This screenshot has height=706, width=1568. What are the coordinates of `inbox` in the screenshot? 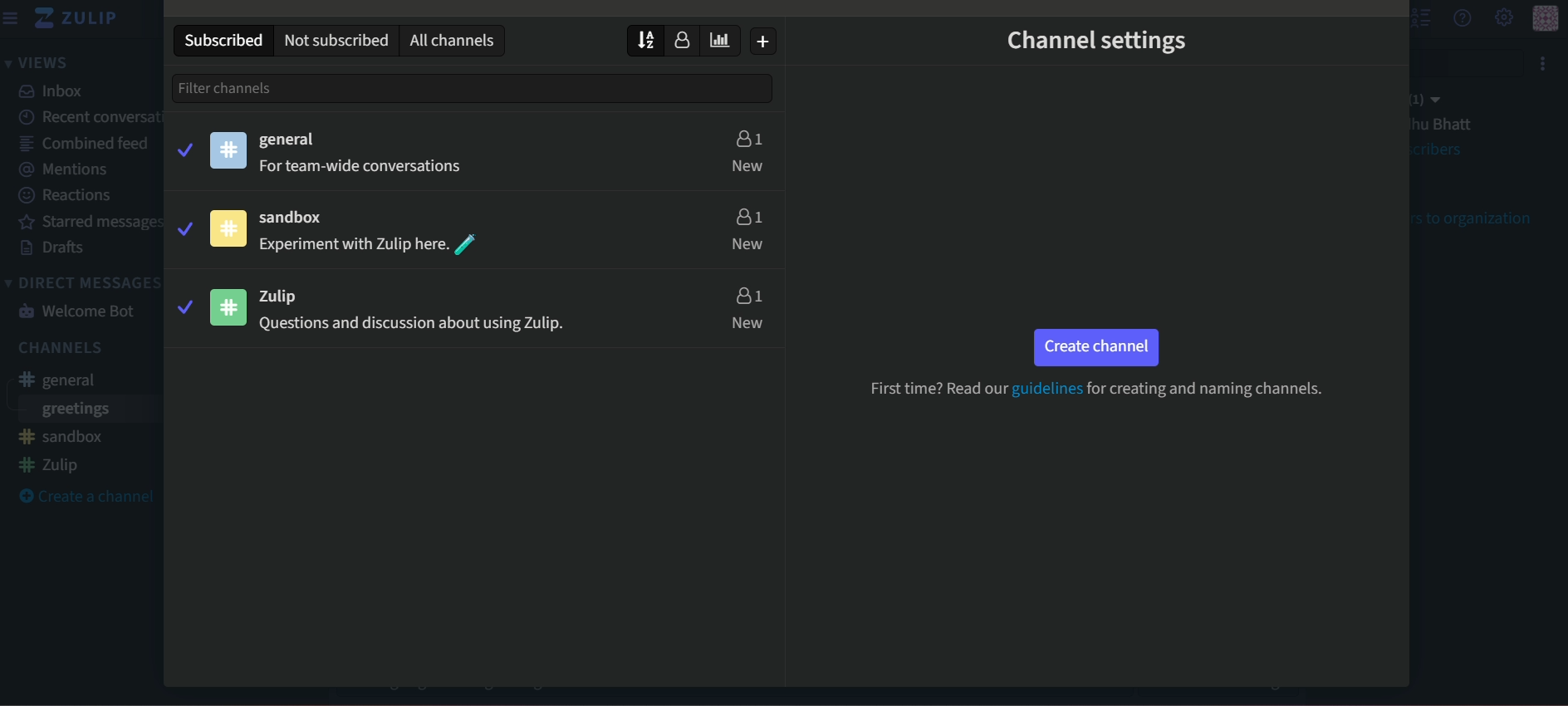 It's located at (52, 92).